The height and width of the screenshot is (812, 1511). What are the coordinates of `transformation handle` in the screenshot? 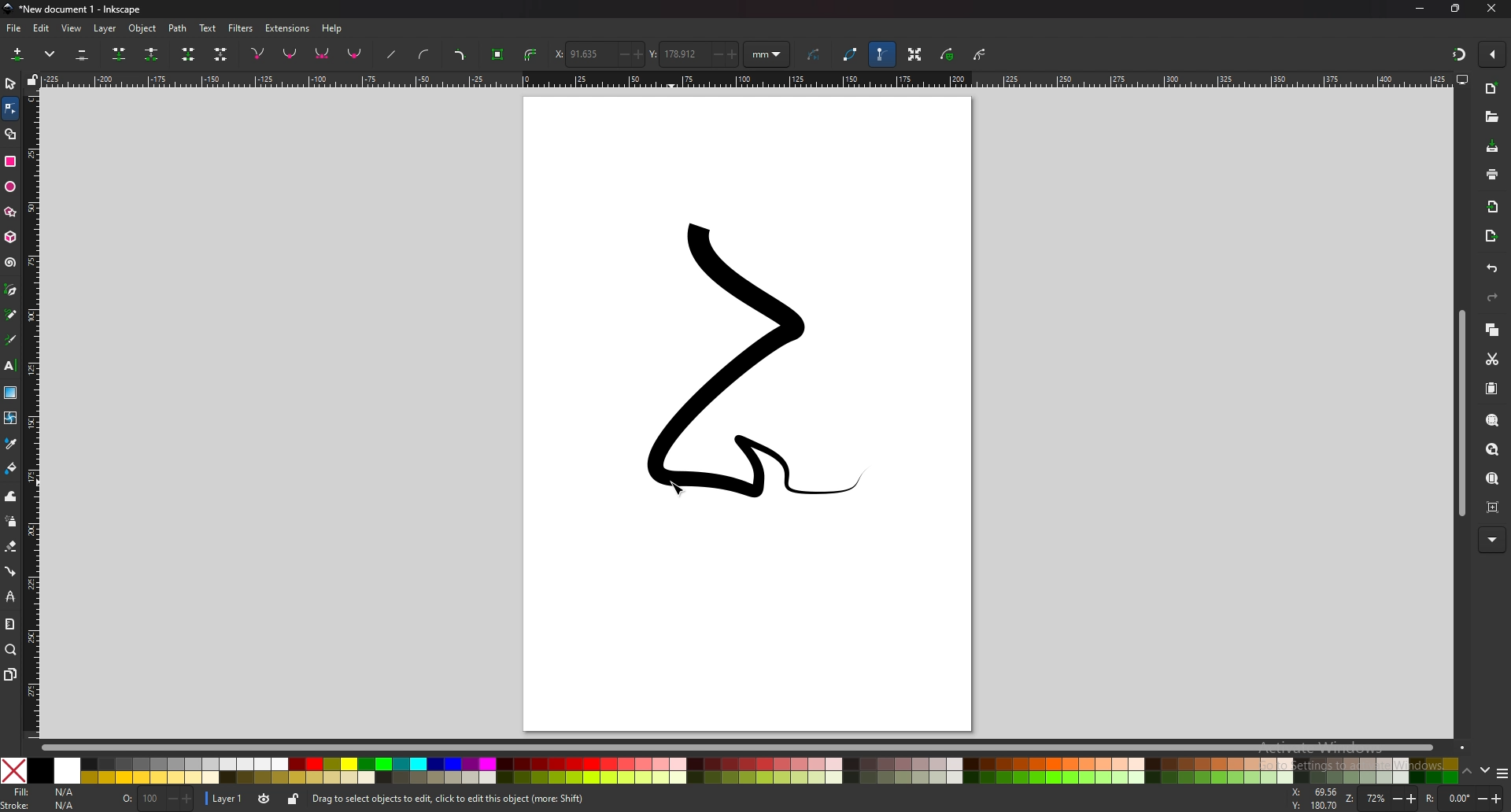 It's located at (914, 56).